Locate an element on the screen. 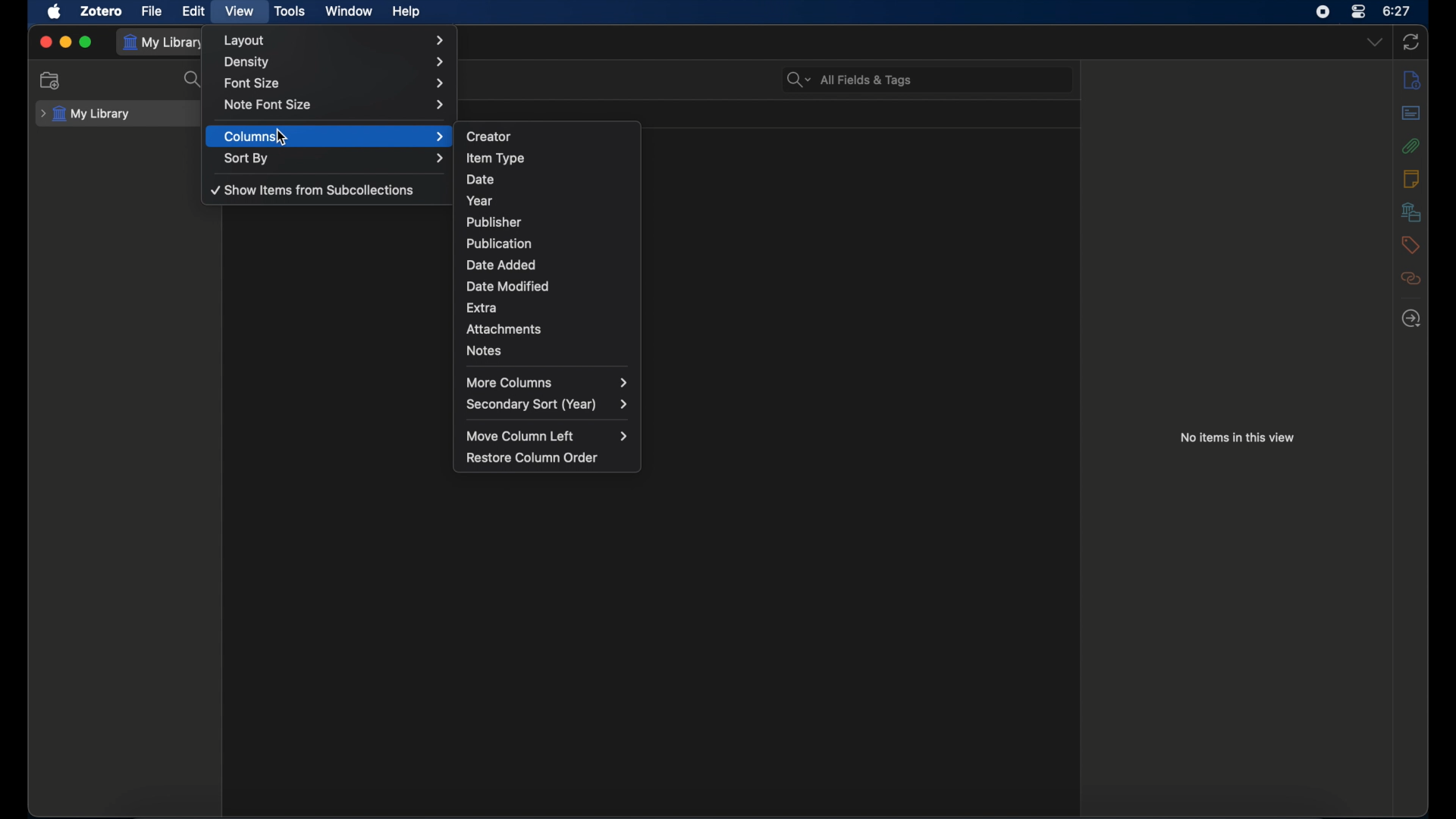 This screenshot has height=819, width=1456. publisher is located at coordinates (496, 222).